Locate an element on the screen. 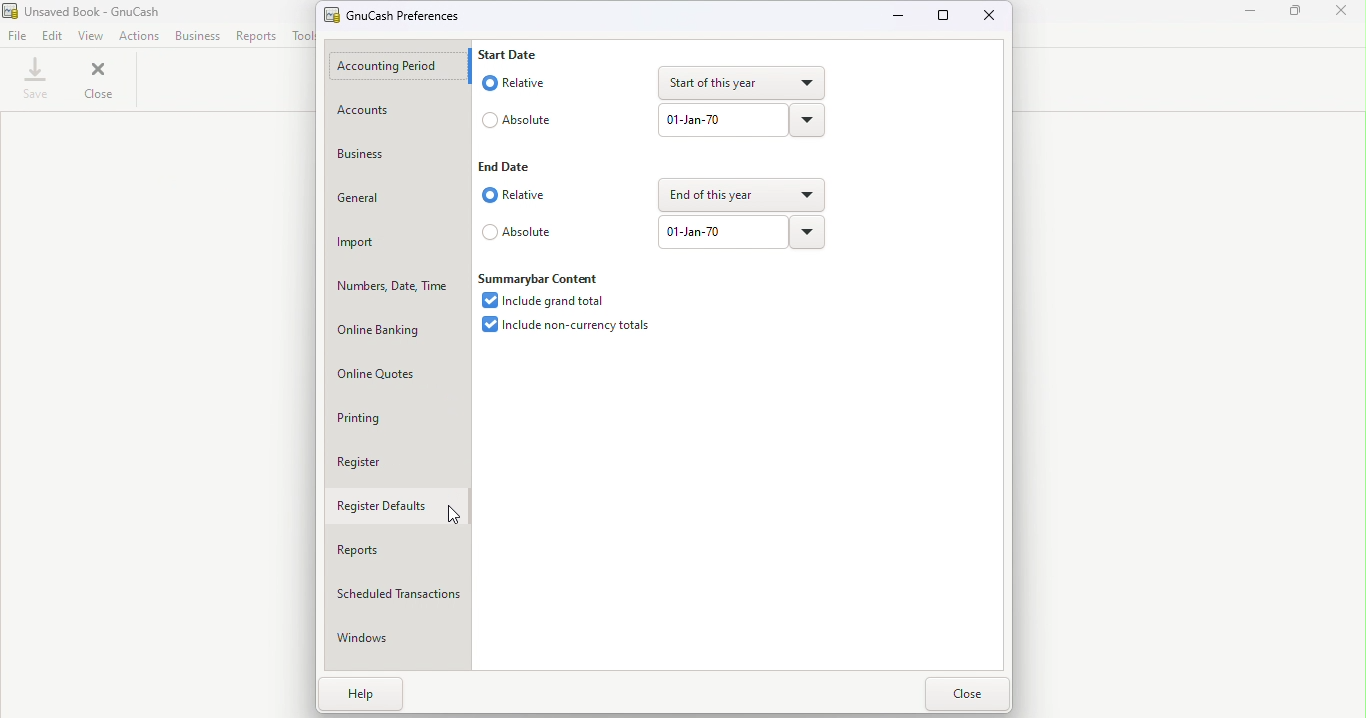 Image resolution: width=1366 pixels, height=718 pixels. Summarybar content is located at coordinates (541, 276).